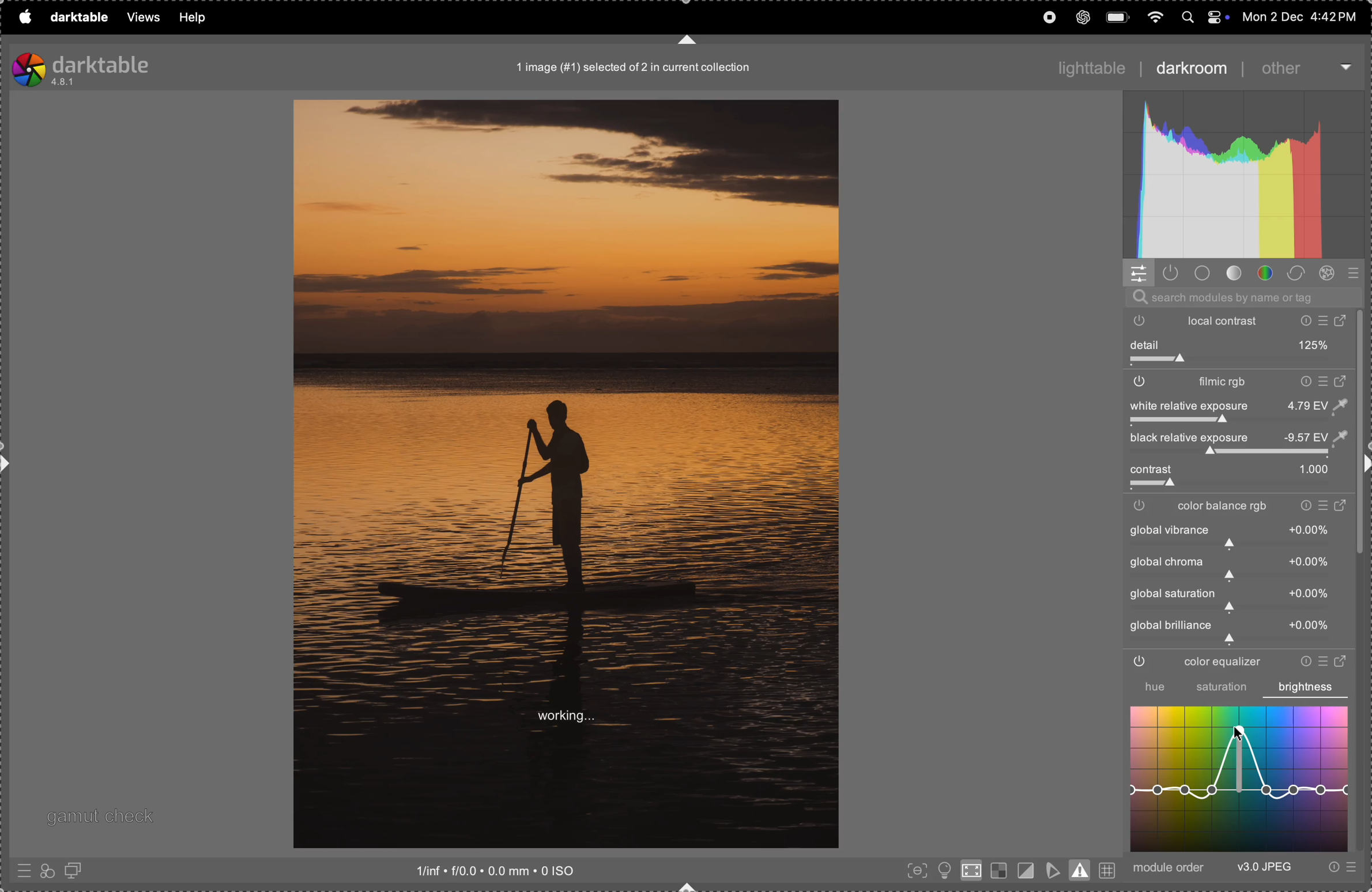 This screenshot has height=892, width=1372. I want to click on other, so click(1299, 68).